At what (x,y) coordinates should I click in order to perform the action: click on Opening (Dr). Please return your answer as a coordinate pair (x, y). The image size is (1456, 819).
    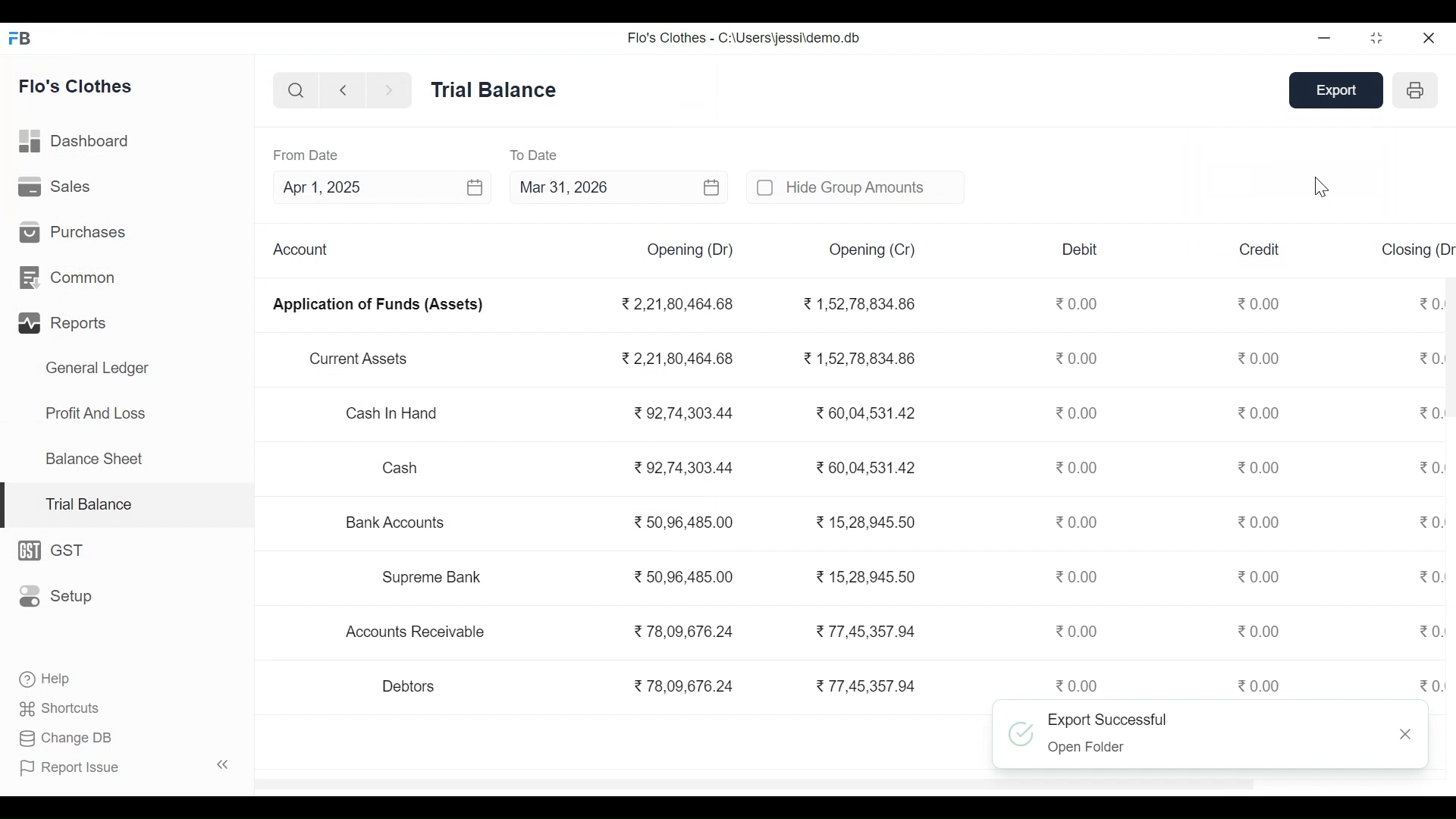
    Looking at the image, I should click on (689, 250).